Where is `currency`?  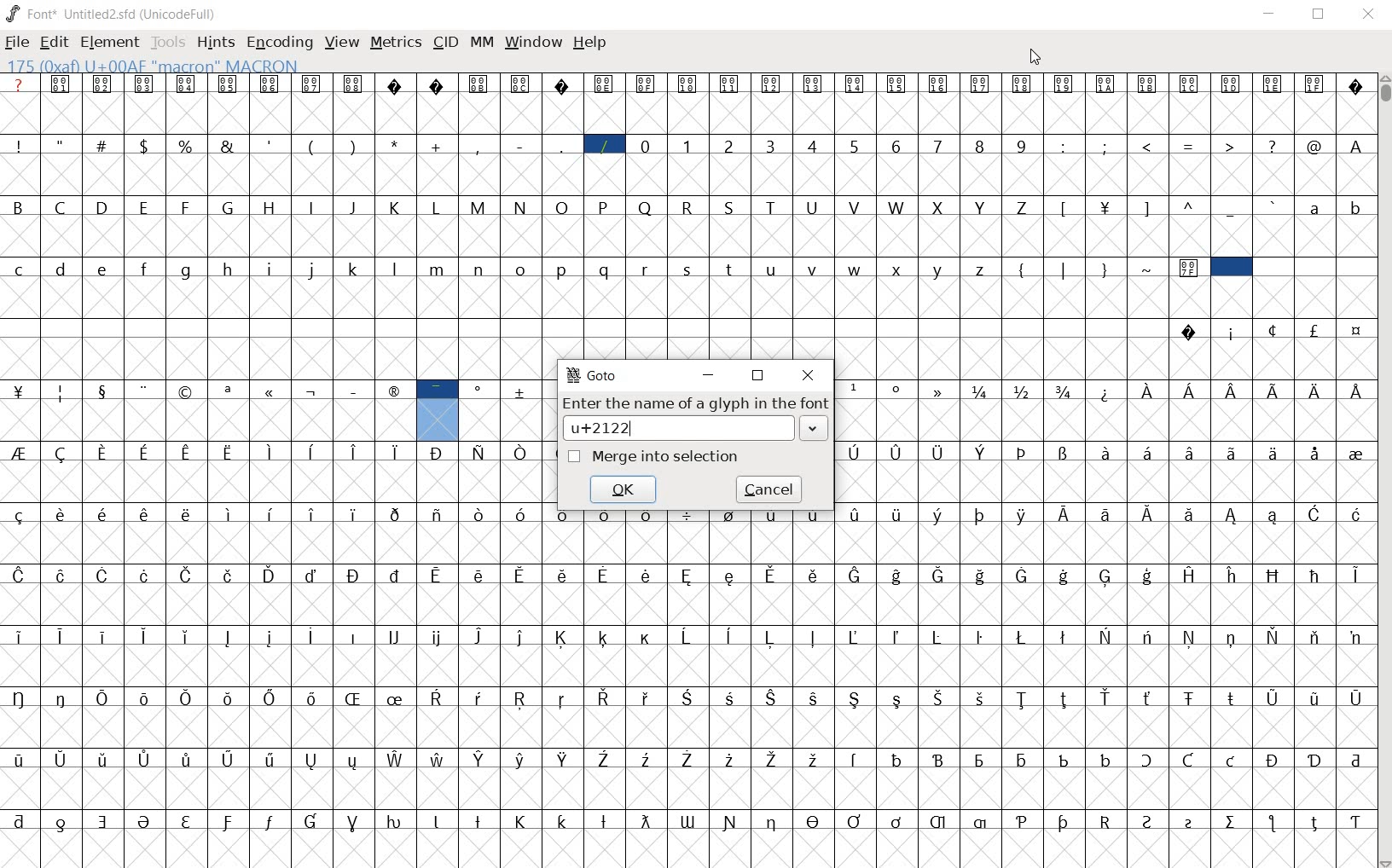
currency is located at coordinates (1107, 226).